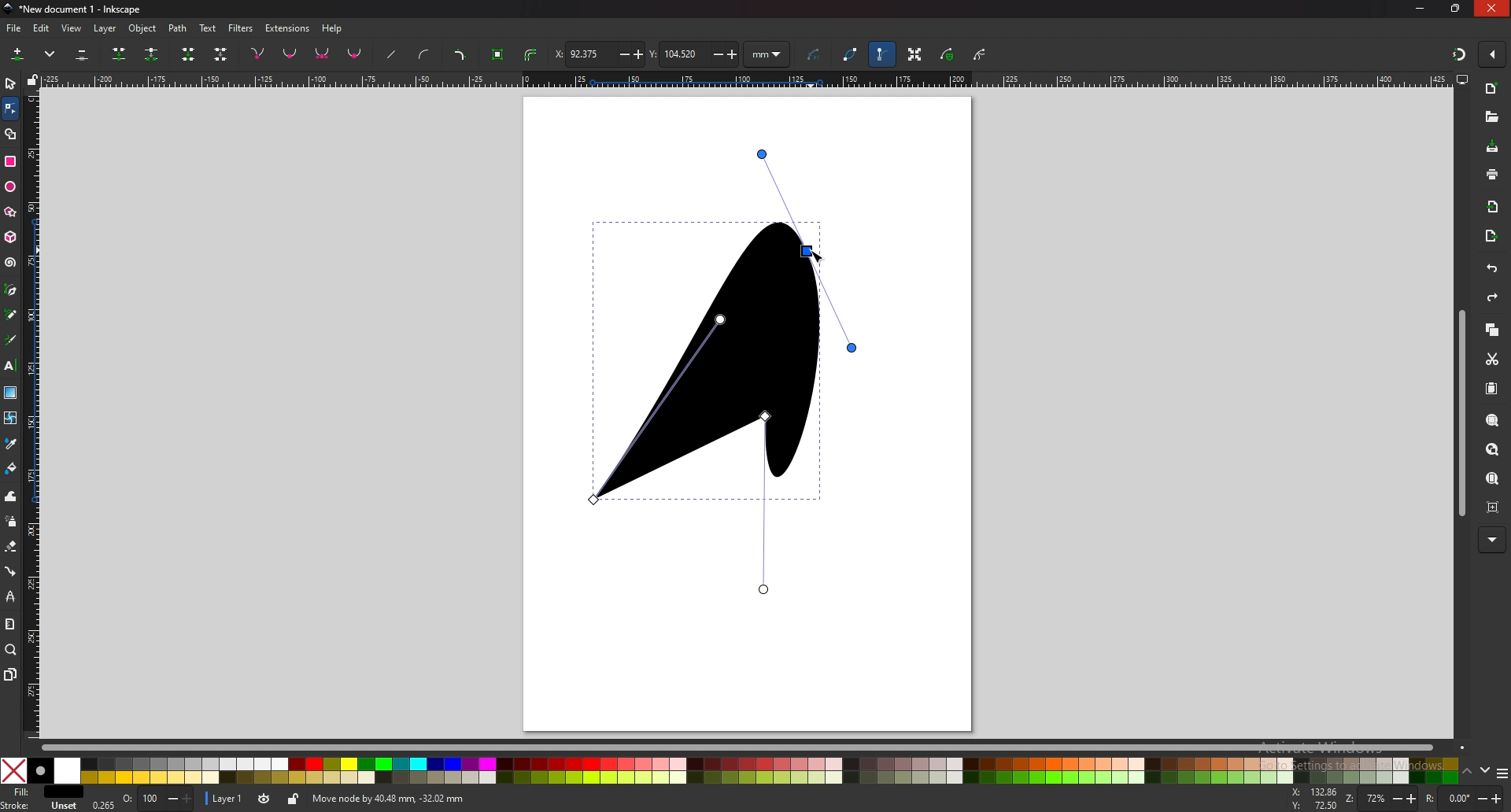 This screenshot has width=1511, height=812. Describe the element at coordinates (34, 414) in the screenshot. I see `vertical scale` at that location.